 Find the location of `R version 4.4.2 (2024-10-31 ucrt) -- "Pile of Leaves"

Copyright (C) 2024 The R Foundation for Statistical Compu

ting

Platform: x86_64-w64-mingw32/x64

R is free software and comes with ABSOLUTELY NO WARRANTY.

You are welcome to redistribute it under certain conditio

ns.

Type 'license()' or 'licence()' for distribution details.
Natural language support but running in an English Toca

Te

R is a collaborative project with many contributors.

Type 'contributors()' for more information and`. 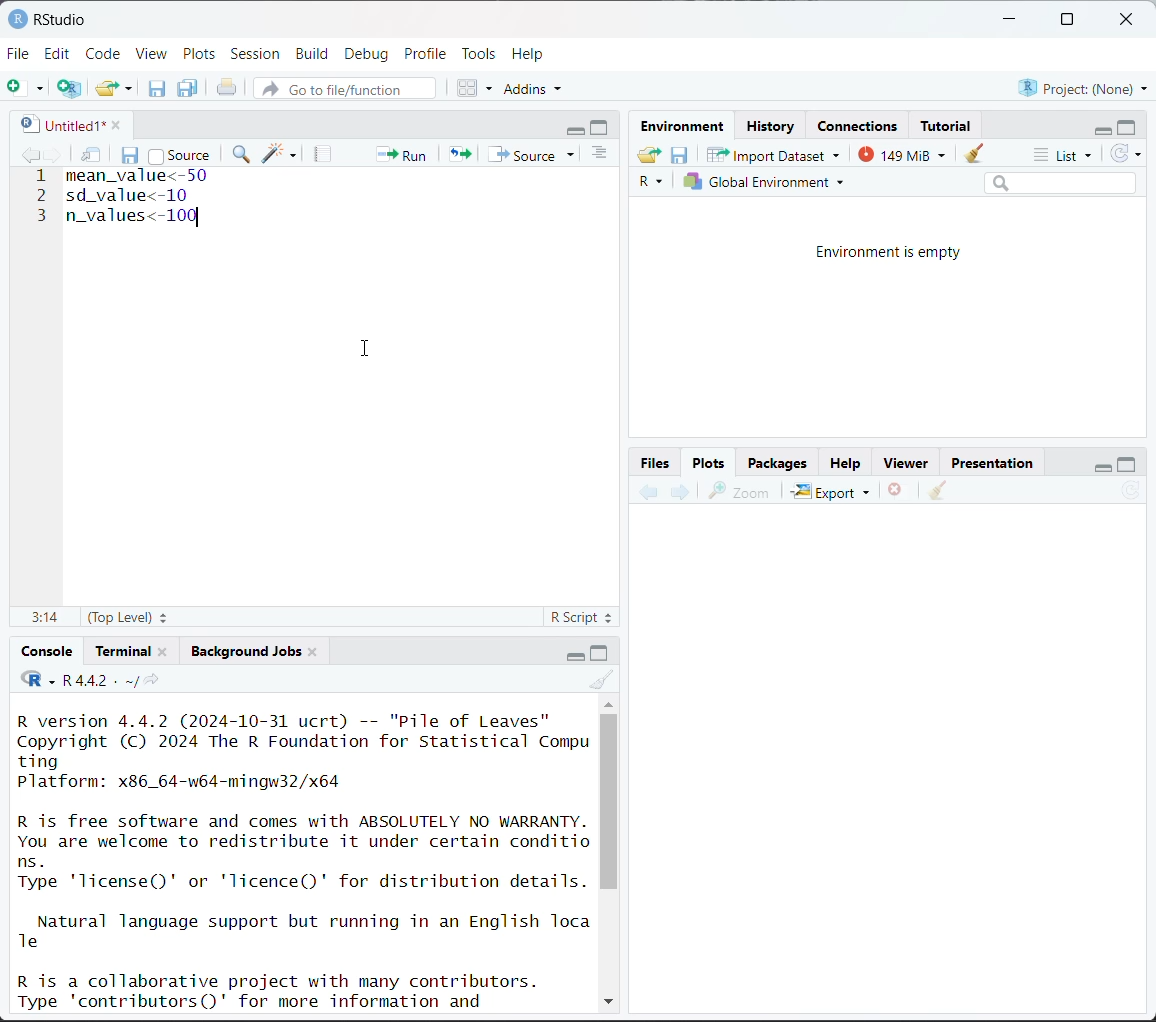

R version 4.4.2 (2024-10-31 ucrt) -- "Pile of Leaves"

Copyright (C) 2024 The R Foundation for Statistical Compu

ting

Platform: x86_64-w64-mingw32/x64

R is free software and comes with ABSOLUTELY NO WARRANTY.

You are welcome to redistribute it under certain conditio

ns.

Type 'license()' or 'licence()' for distribution details.
Natural language support but running in an English Toca

Te

R is a collaborative project with many contributors.

Type 'contributors()' for more information and is located at coordinates (305, 859).